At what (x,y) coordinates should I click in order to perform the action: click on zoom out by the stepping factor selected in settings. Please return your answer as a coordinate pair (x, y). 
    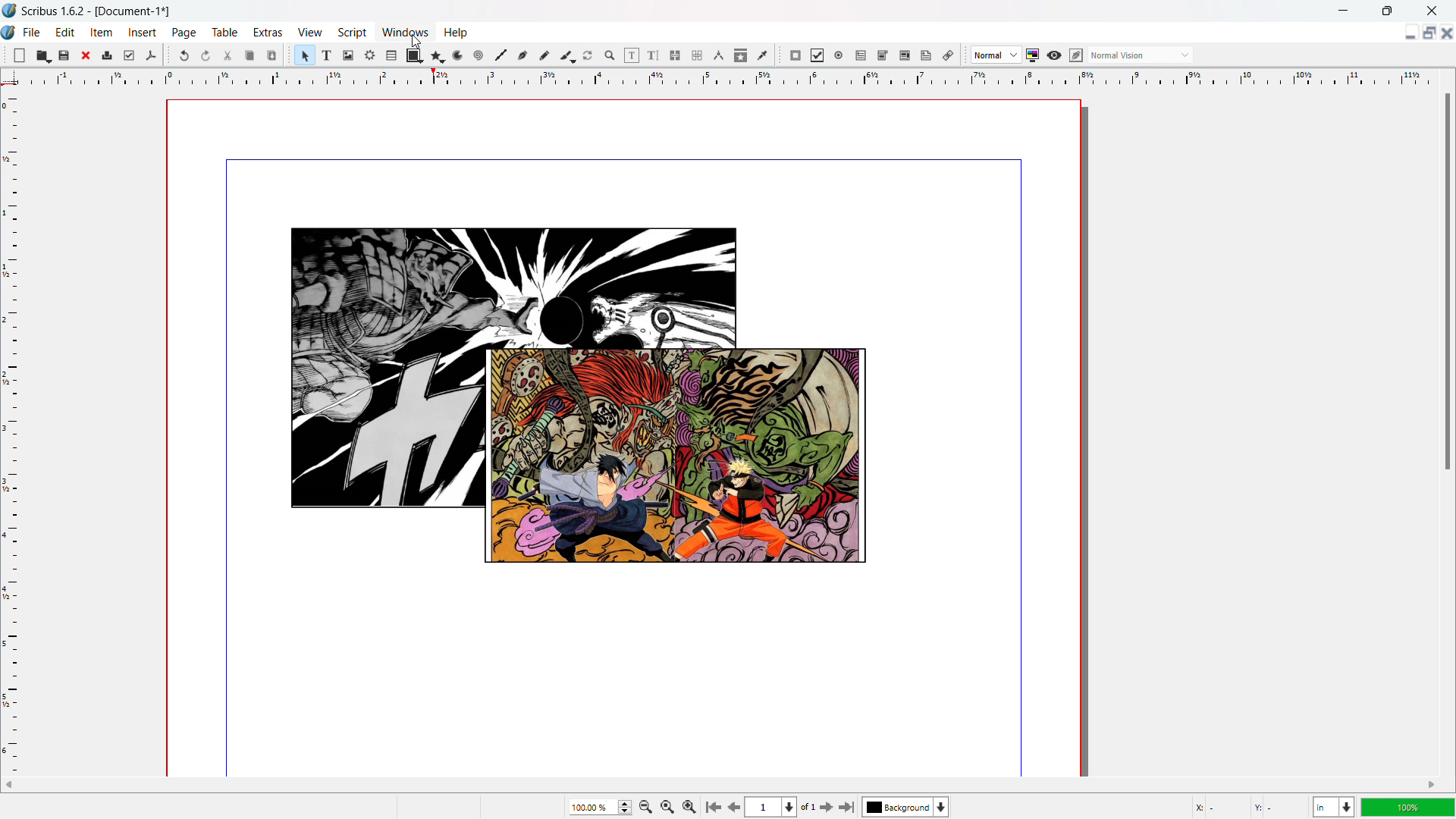
    Looking at the image, I should click on (645, 806).